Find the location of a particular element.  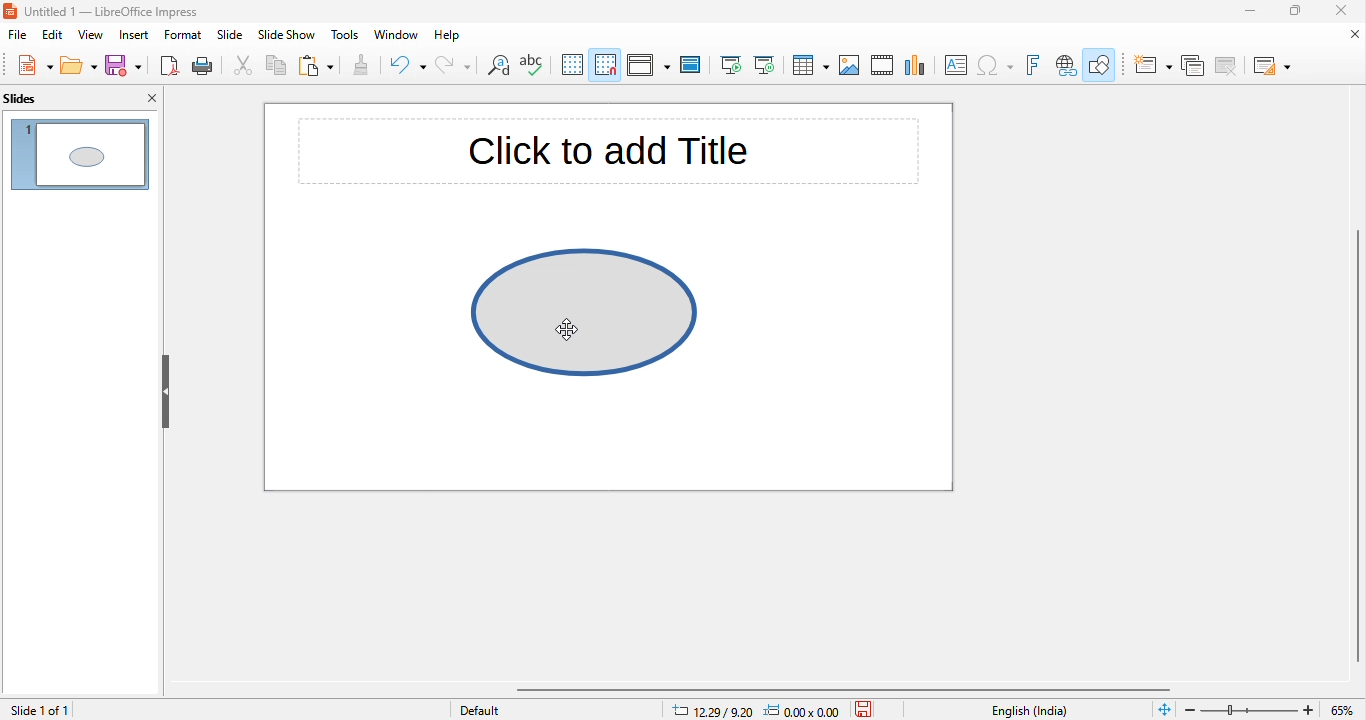

slides is located at coordinates (25, 100).